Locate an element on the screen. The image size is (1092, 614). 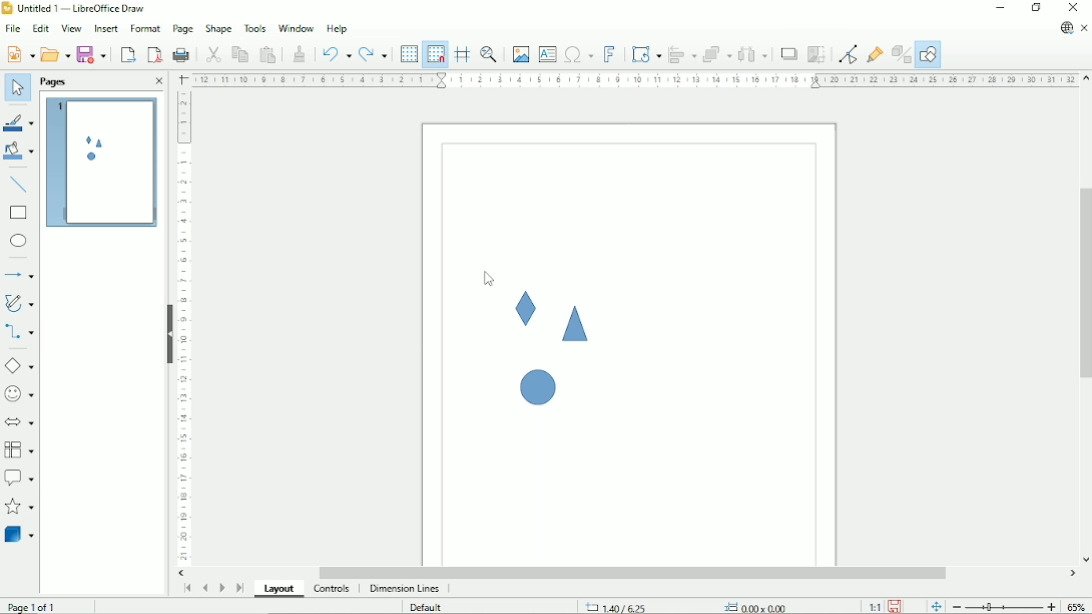
Hide is located at coordinates (169, 334).